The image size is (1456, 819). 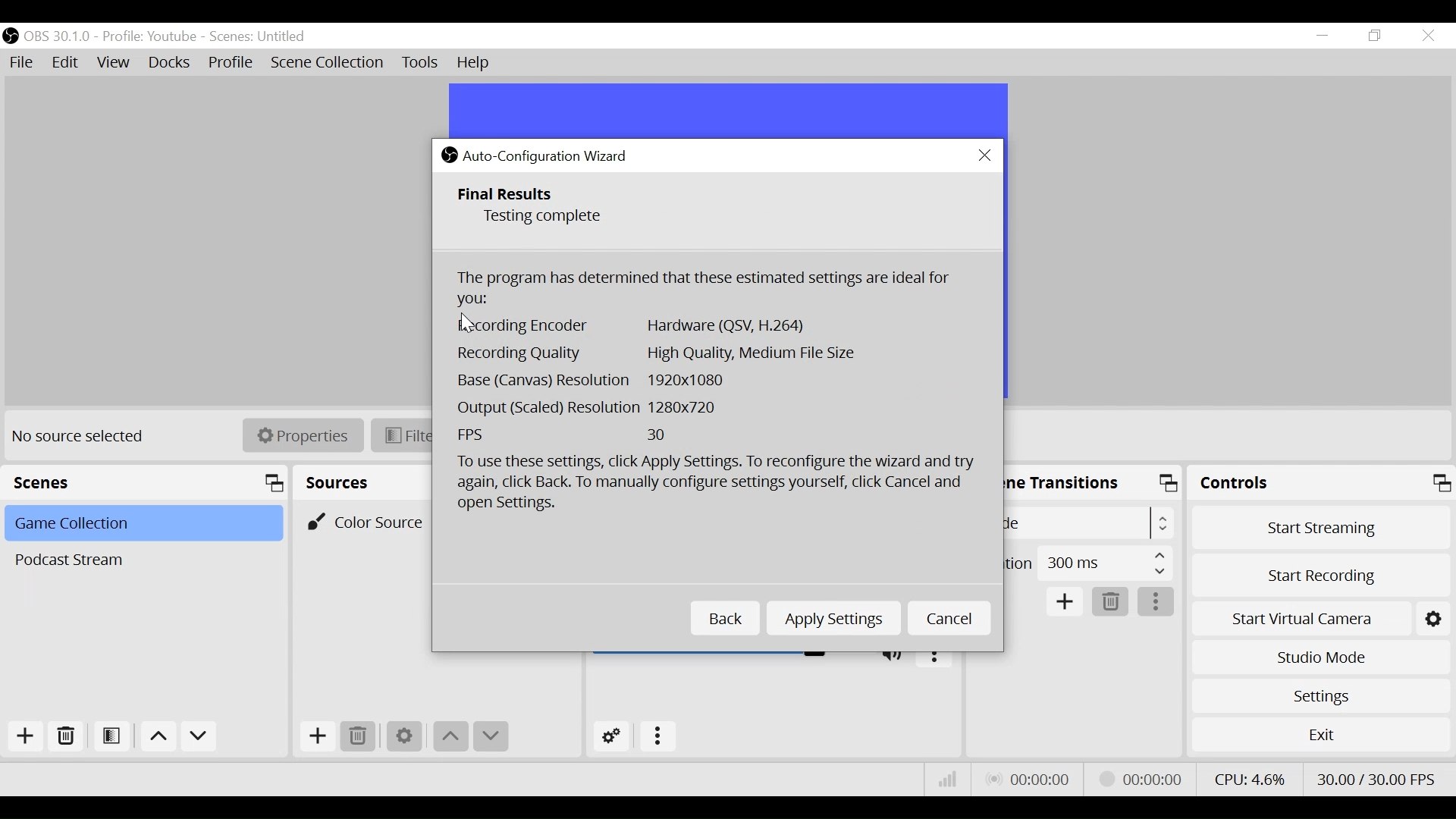 What do you see at coordinates (469, 324) in the screenshot?
I see `Cursor` at bounding box center [469, 324].